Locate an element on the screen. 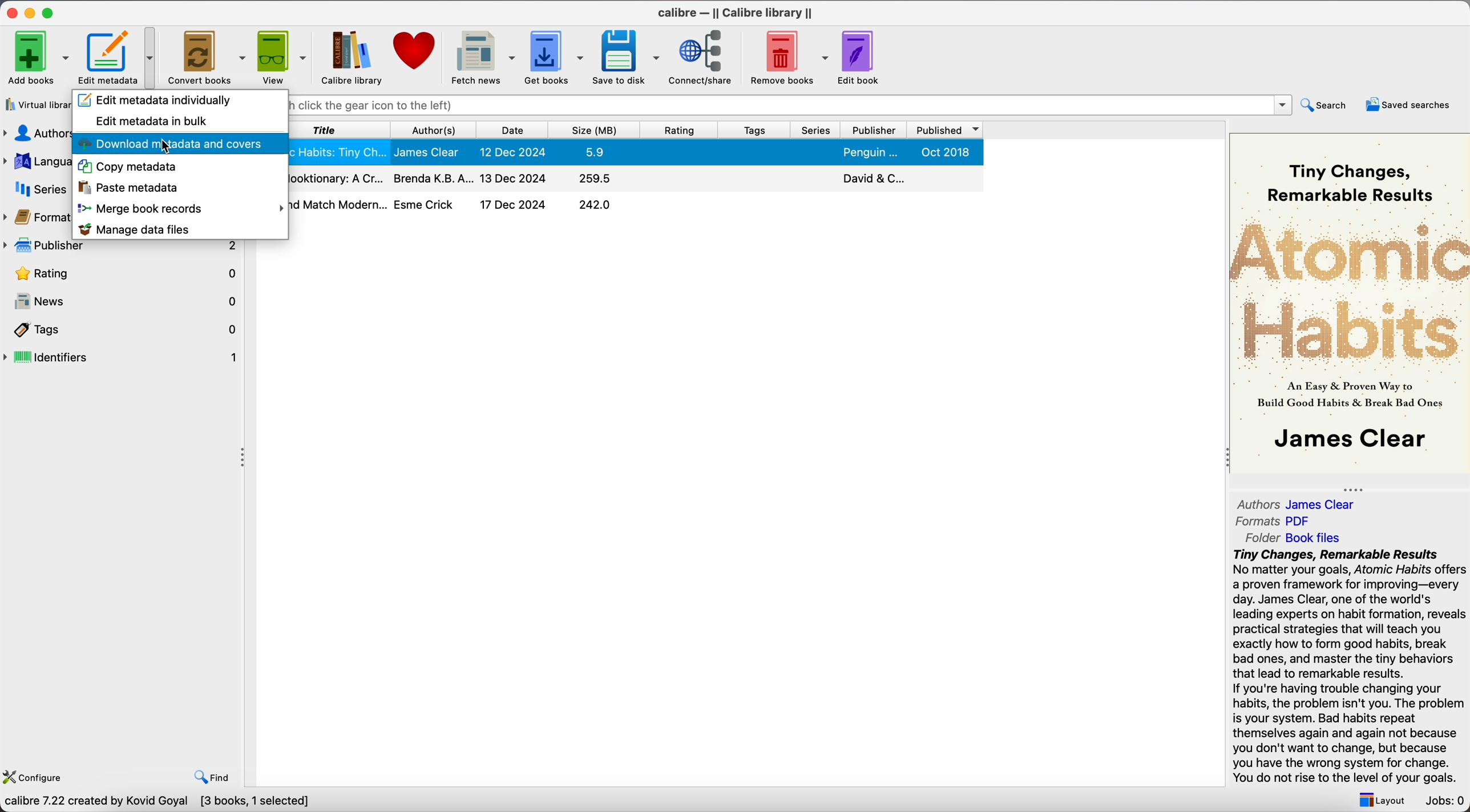  published is located at coordinates (943, 130).